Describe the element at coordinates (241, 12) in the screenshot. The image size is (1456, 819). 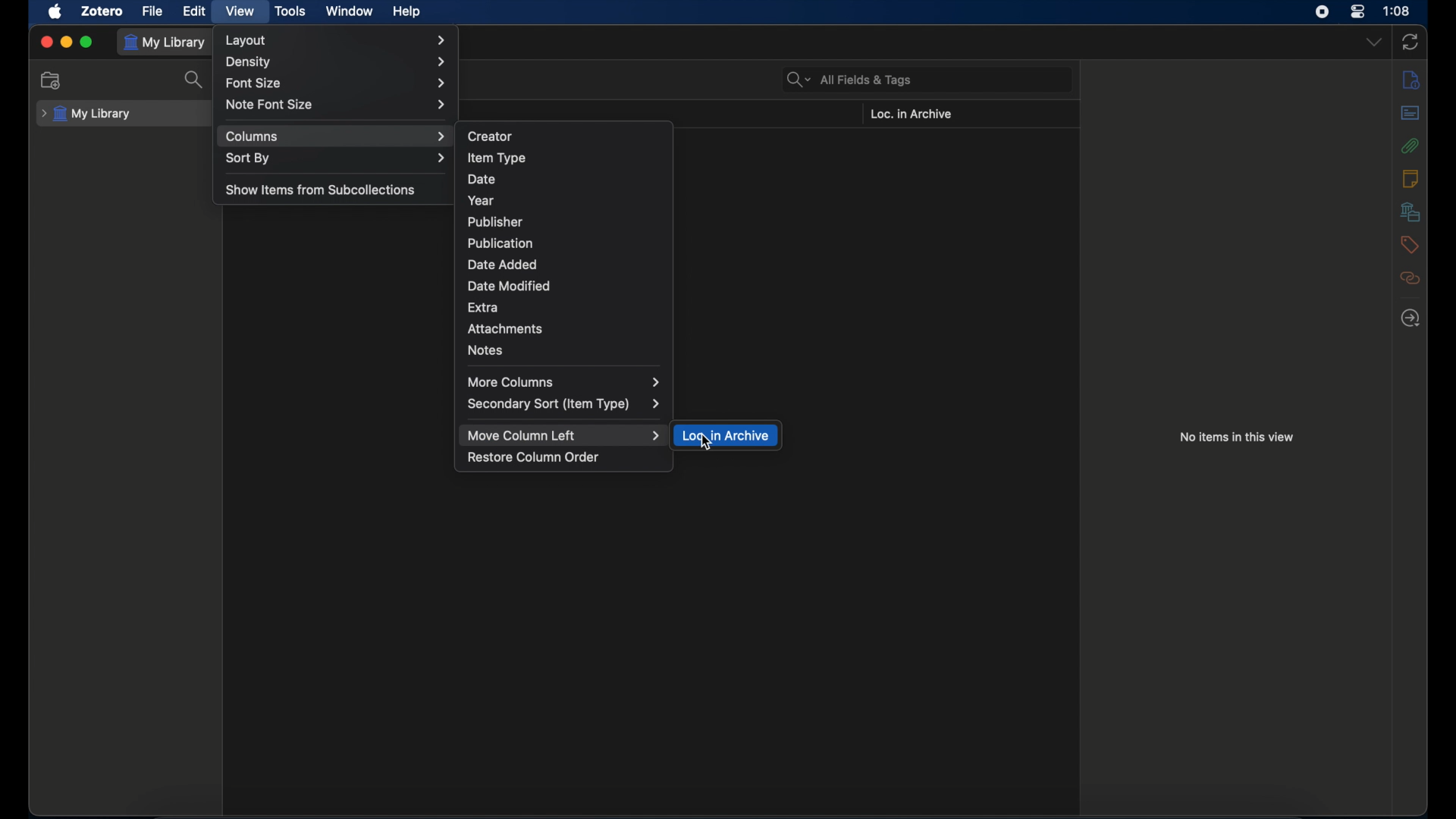
I see `view` at that location.